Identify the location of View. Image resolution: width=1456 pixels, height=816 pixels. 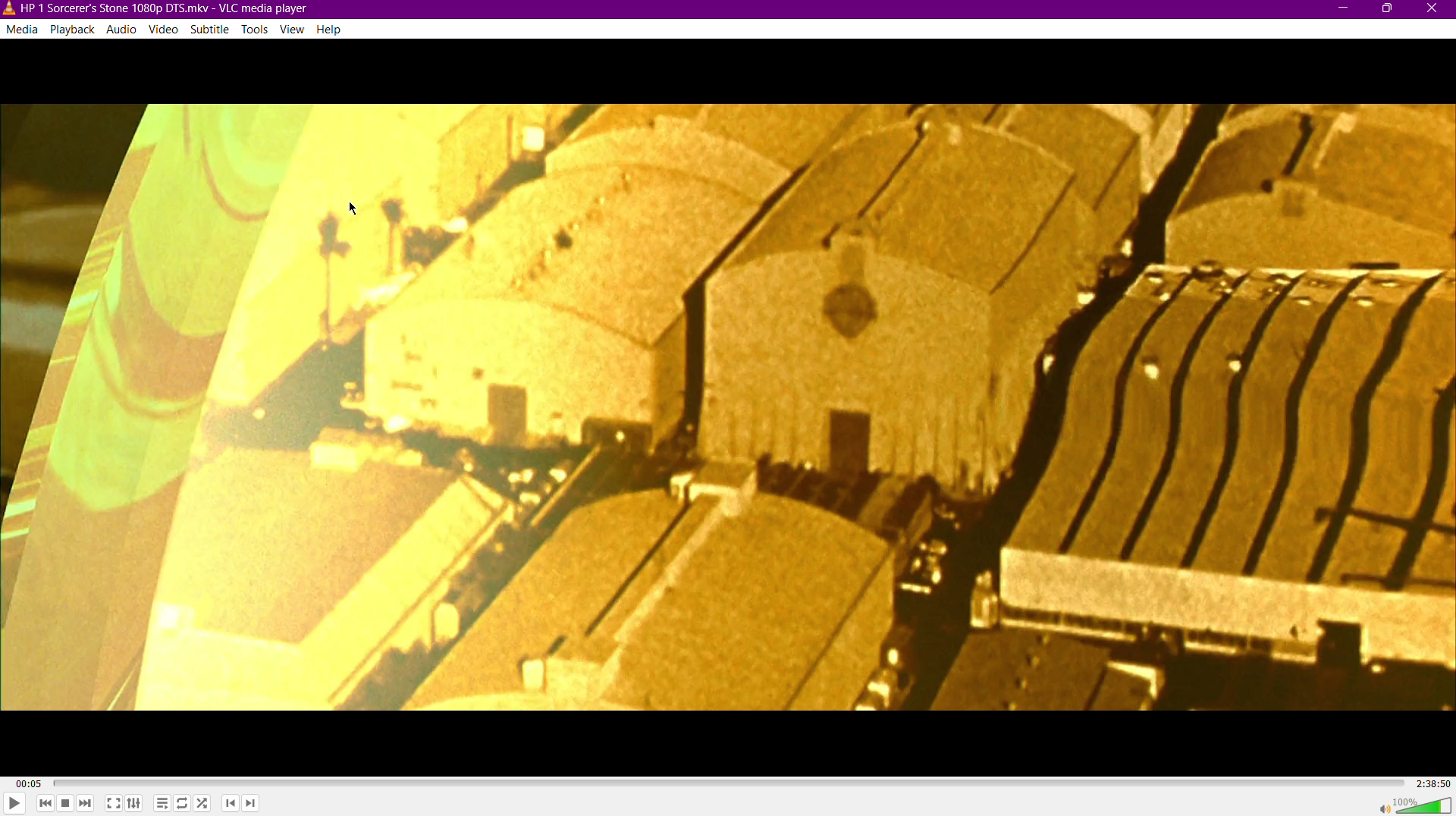
(292, 29).